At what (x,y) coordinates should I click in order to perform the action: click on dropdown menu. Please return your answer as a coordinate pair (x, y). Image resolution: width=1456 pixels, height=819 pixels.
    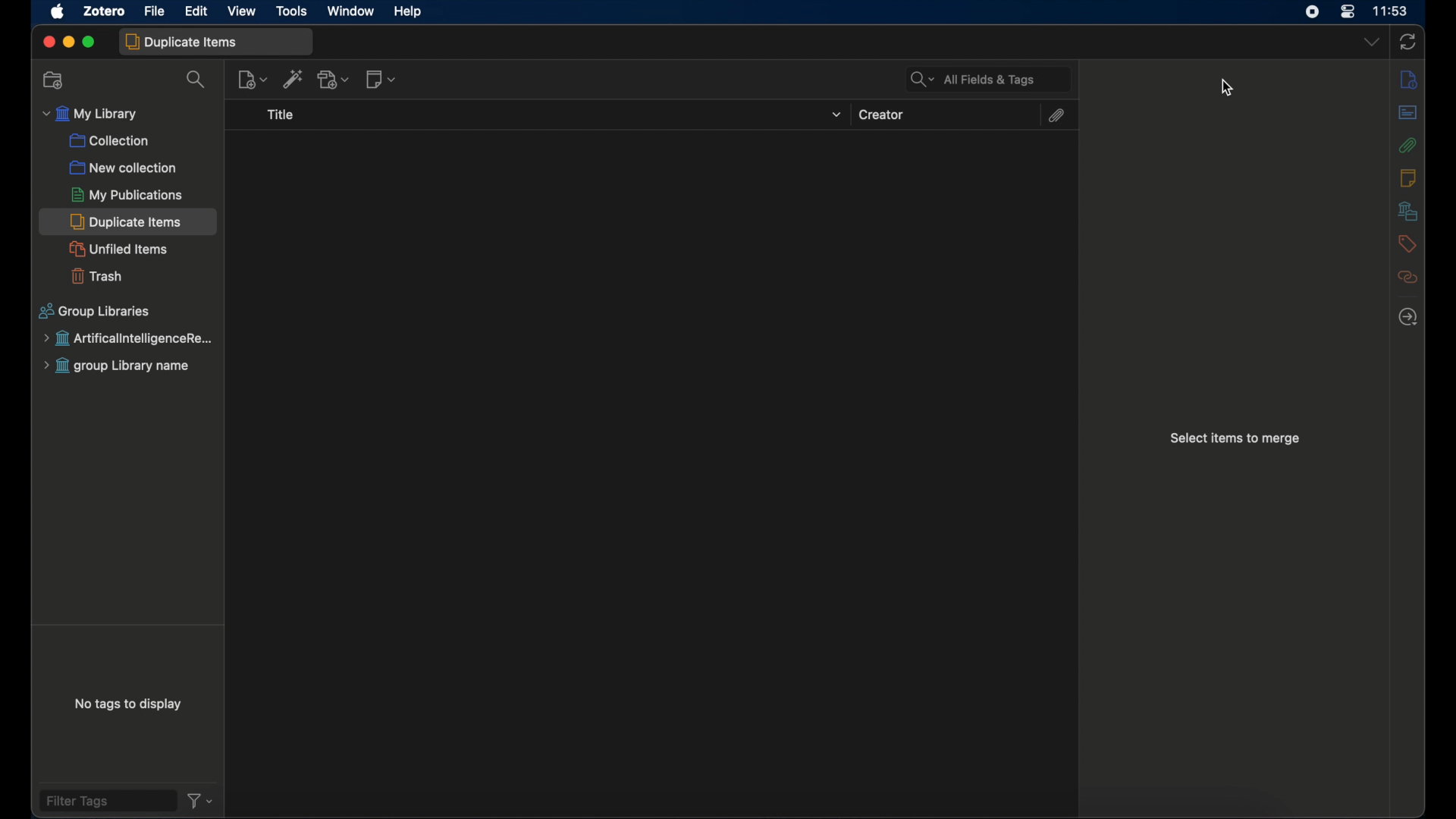
    Looking at the image, I should click on (1370, 41).